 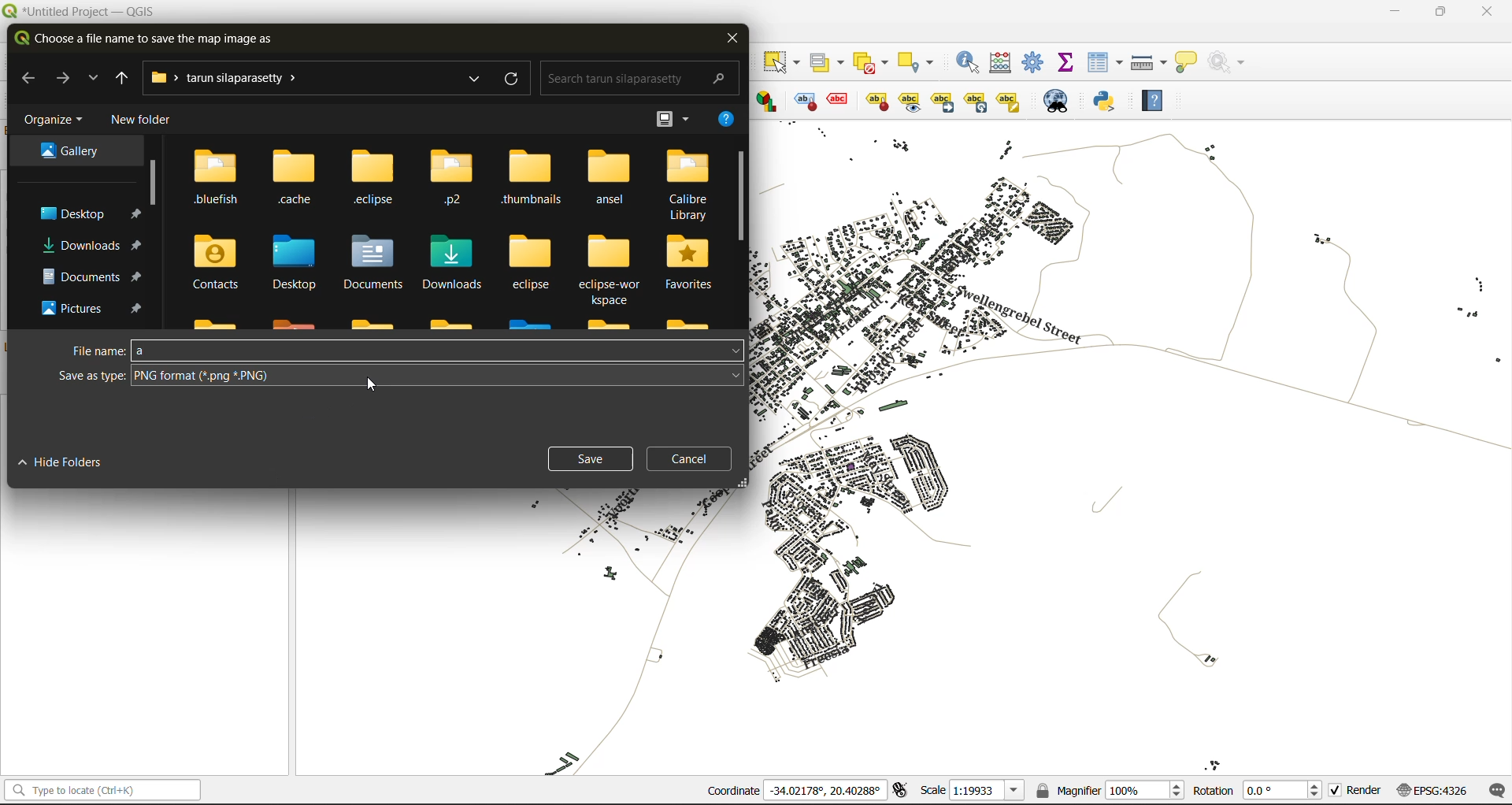 What do you see at coordinates (66, 78) in the screenshot?
I see `next` at bounding box center [66, 78].